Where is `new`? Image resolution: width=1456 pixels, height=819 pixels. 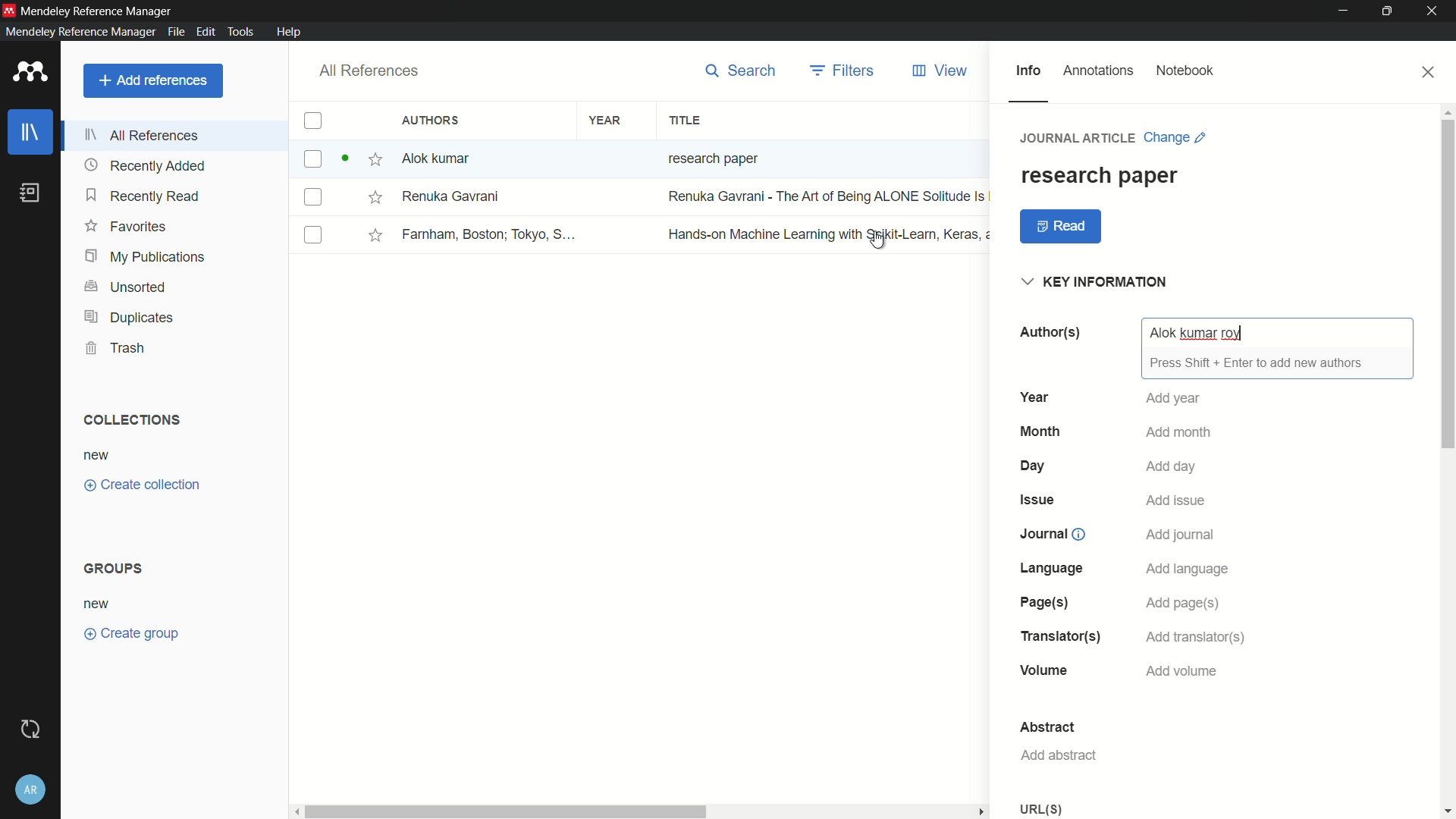 new is located at coordinates (98, 605).